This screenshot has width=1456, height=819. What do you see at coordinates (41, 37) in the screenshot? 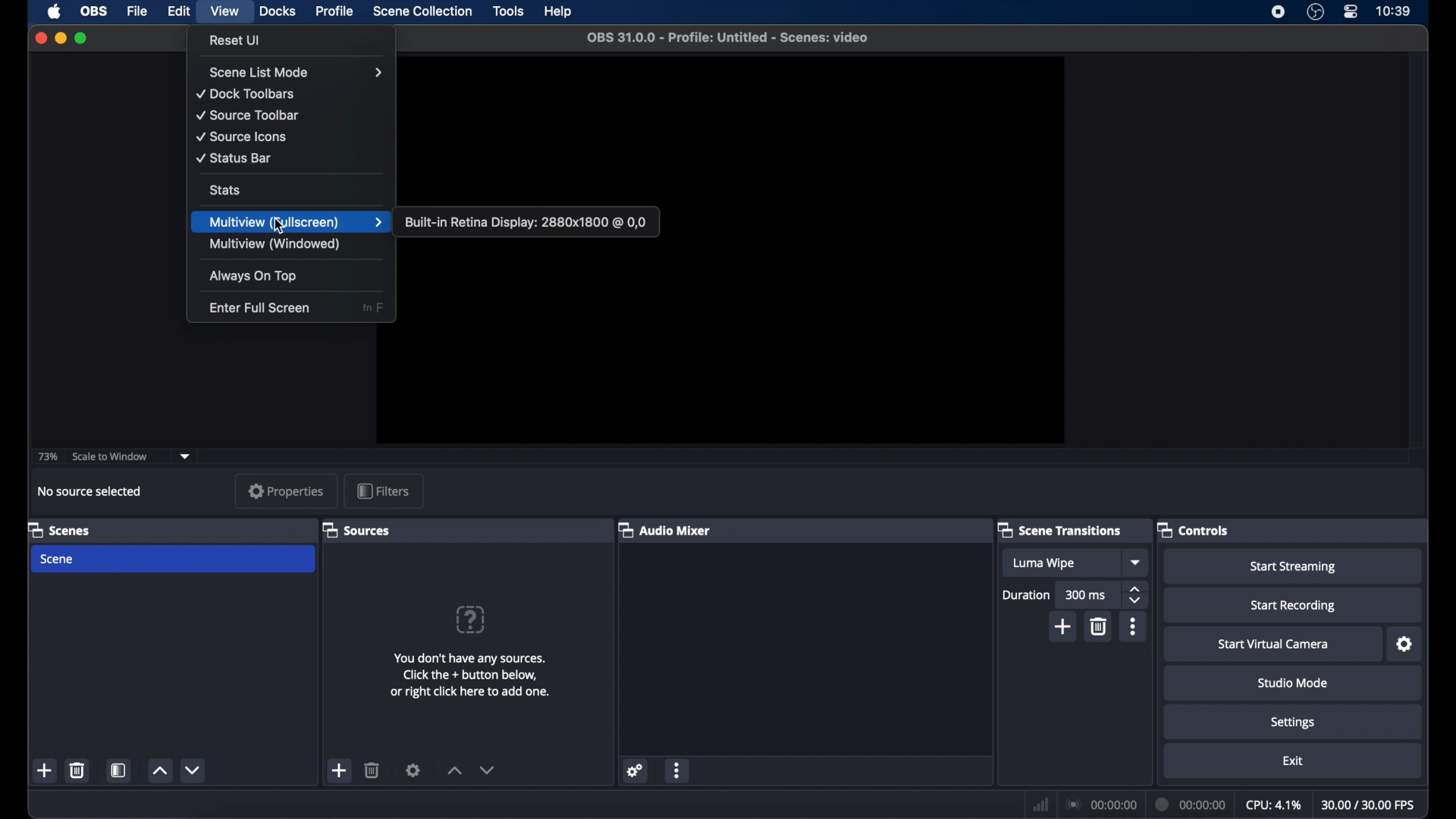
I see `close` at bounding box center [41, 37].